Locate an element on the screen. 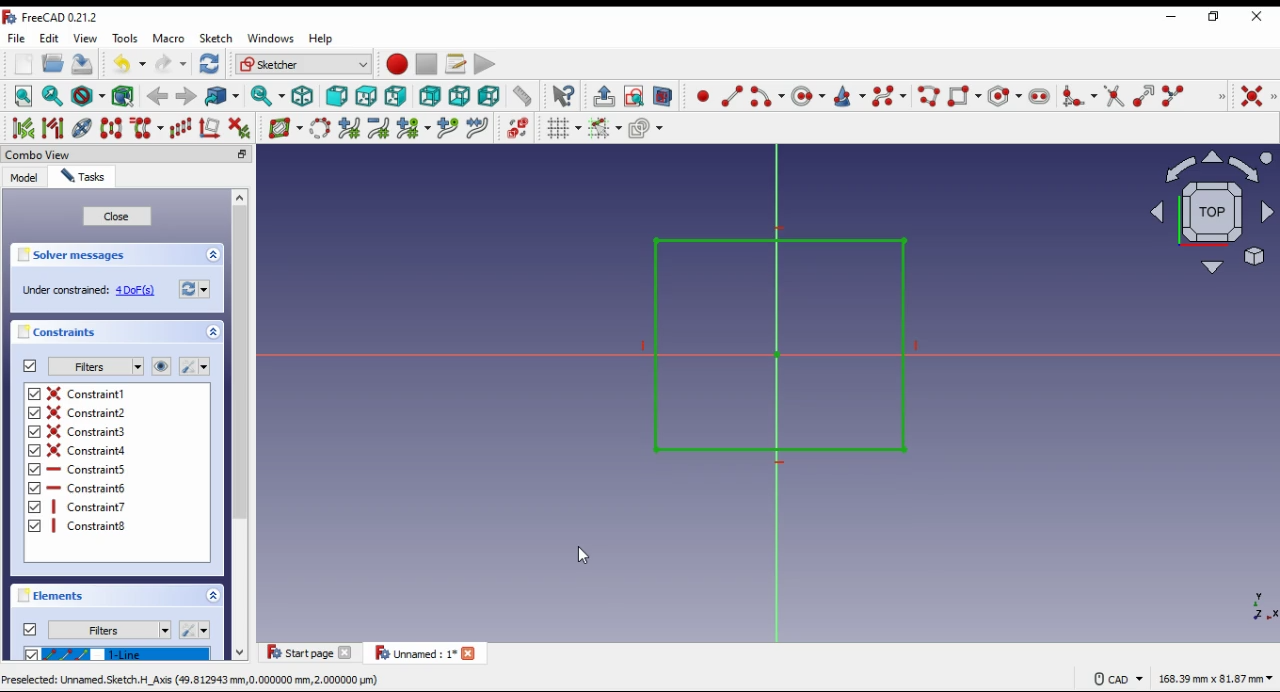 The height and width of the screenshot is (692, 1280). on/off constraint 4 is located at coordinates (91, 449).